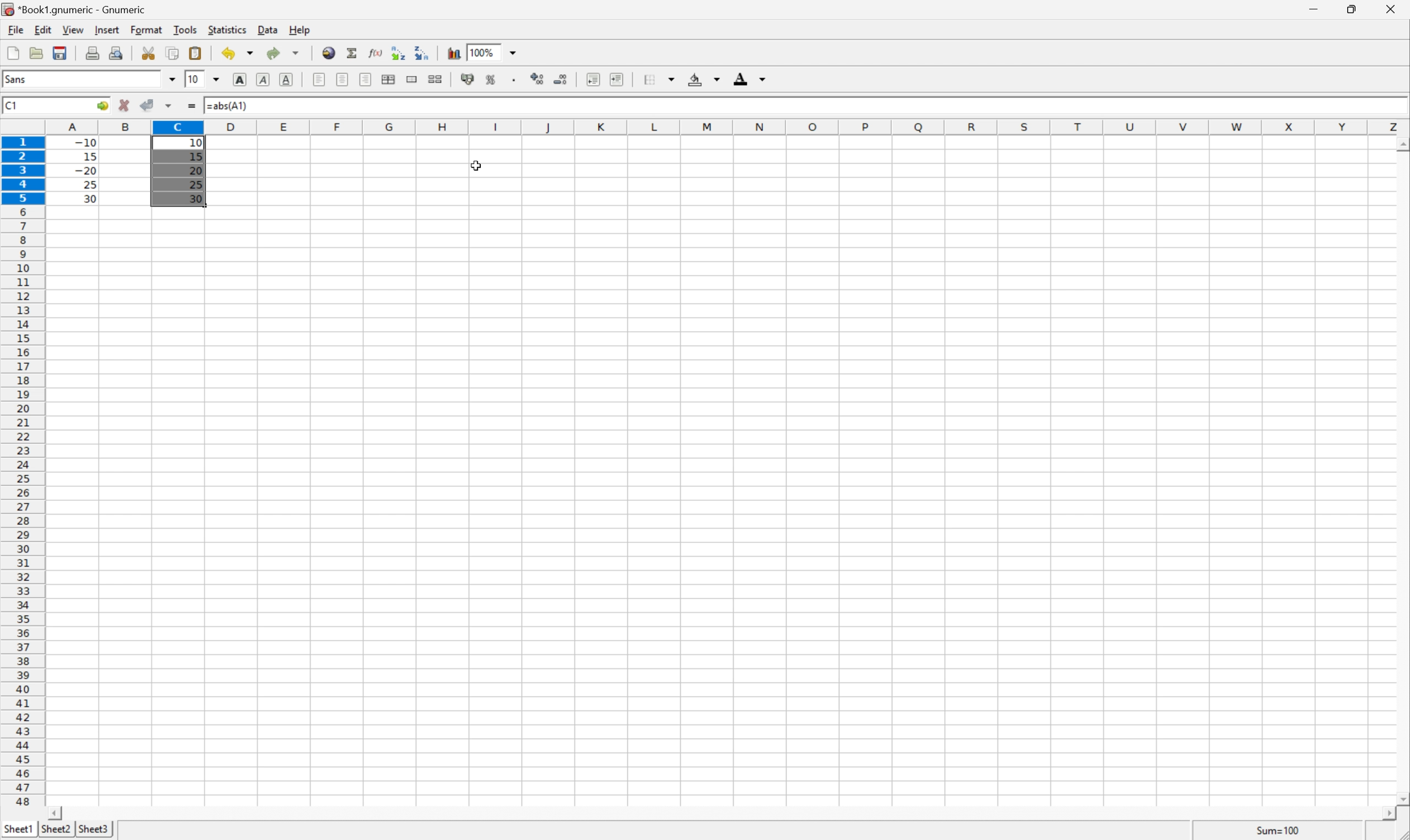 This screenshot has width=1410, height=840. What do you see at coordinates (1401, 144) in the screenshot?
I see `Scroll up` at bounding box center [1401, 144].